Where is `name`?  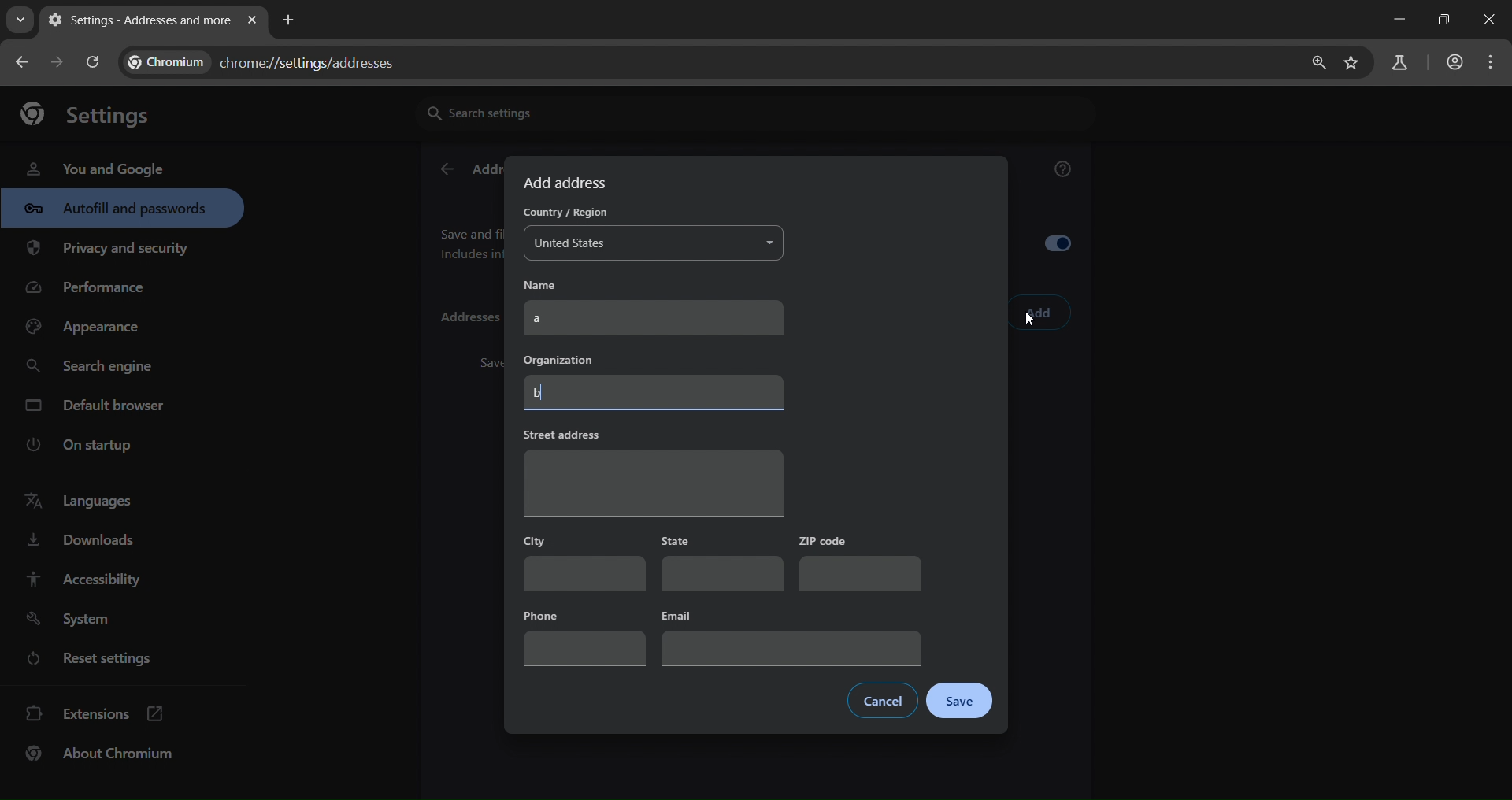
name is located at coordinates (552, 284).